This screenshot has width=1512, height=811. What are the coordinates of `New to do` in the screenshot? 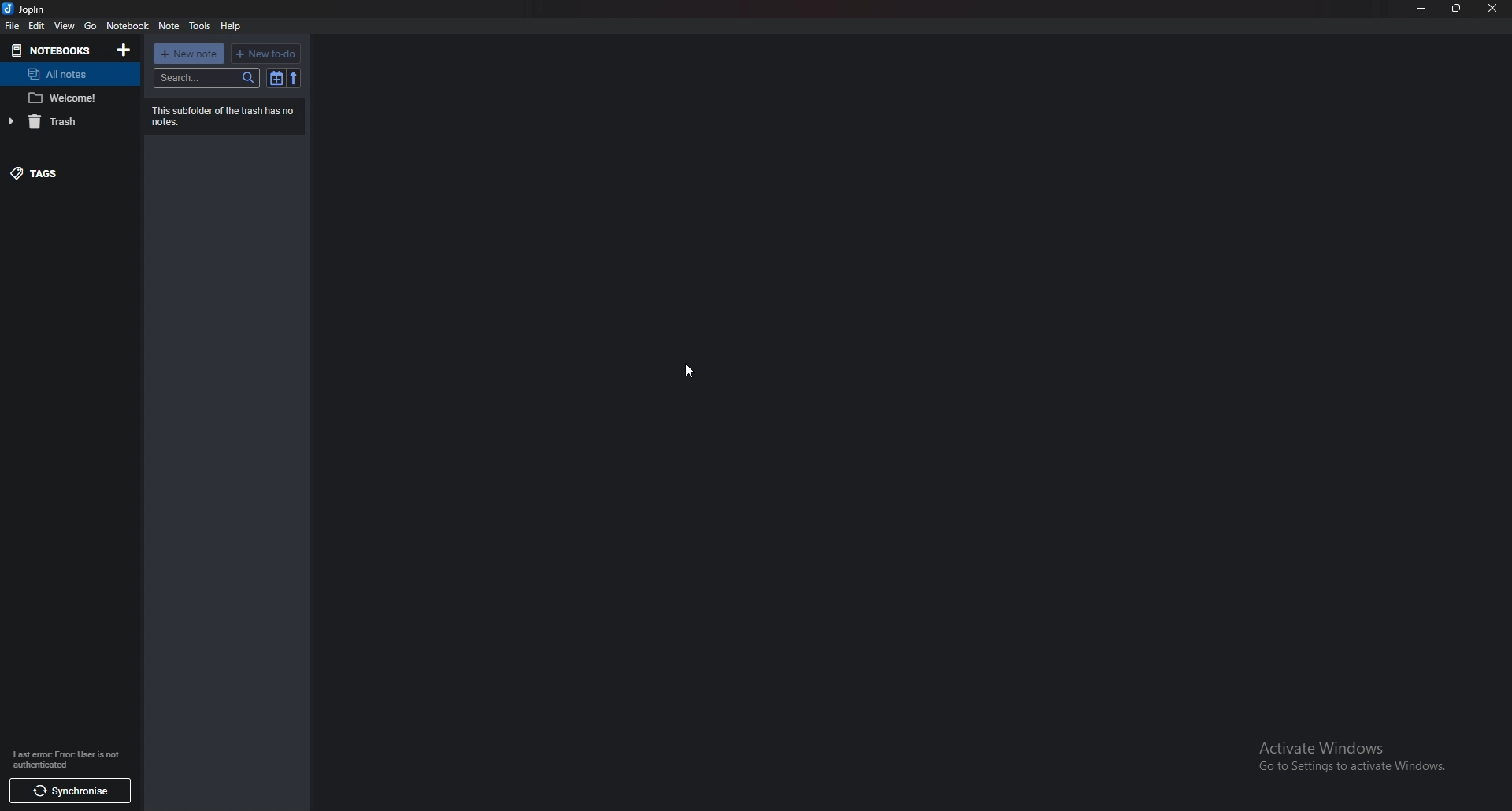 It's located at (265, 53).